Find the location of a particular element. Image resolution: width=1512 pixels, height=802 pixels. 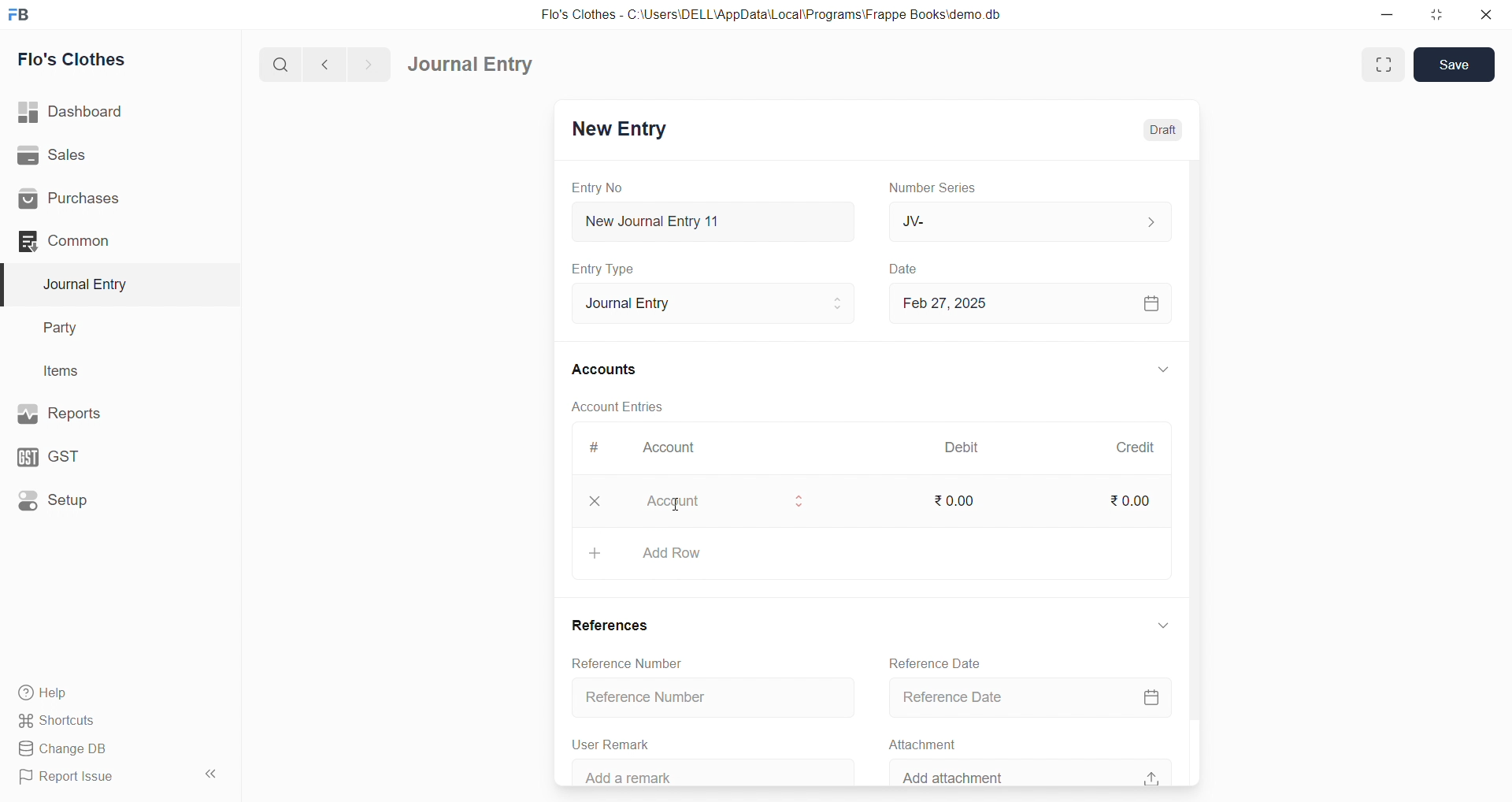

selected is located at coordinates (9, 284).